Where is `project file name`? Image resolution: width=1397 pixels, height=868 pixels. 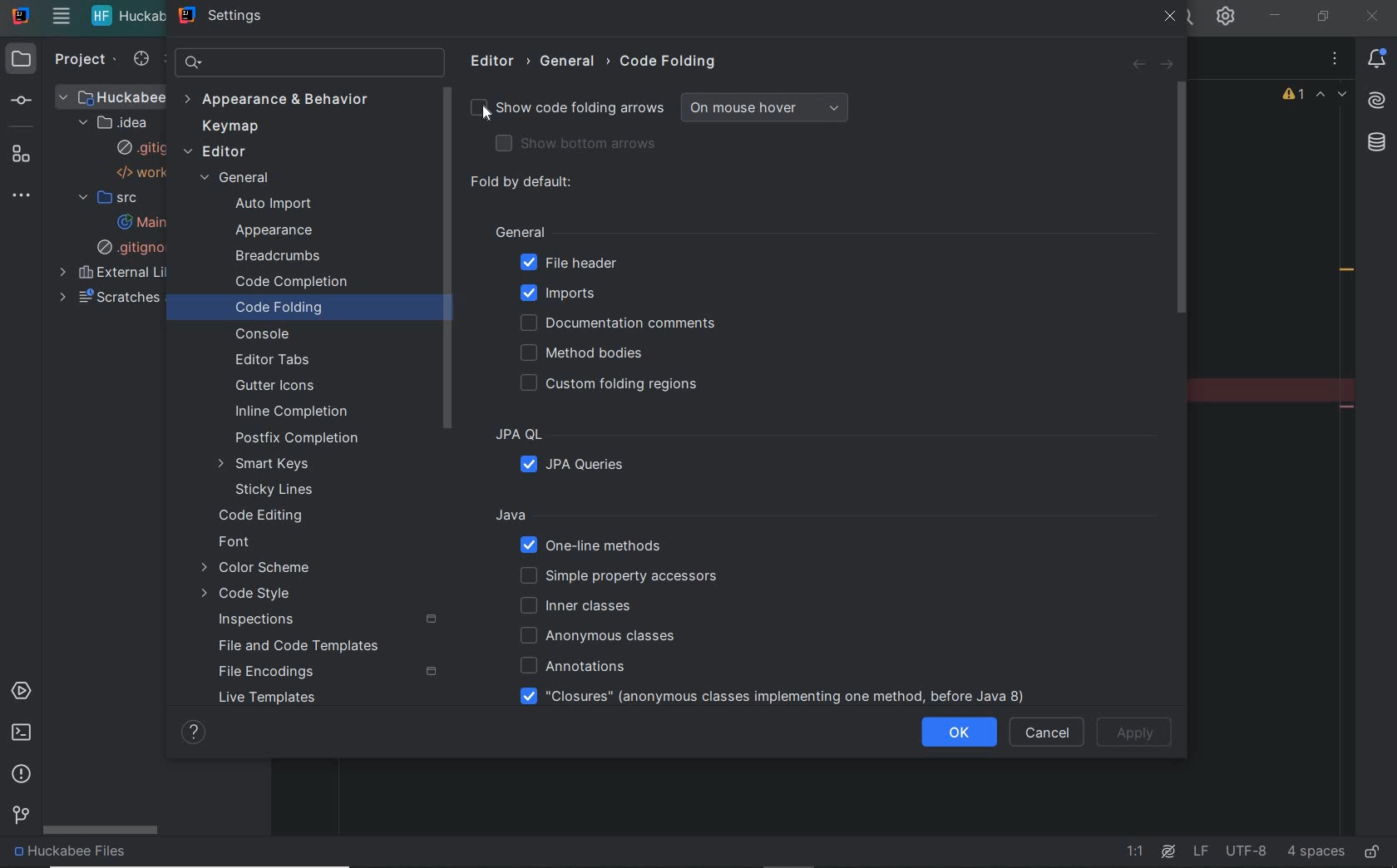 project file name is located at coordinates (122, 855).